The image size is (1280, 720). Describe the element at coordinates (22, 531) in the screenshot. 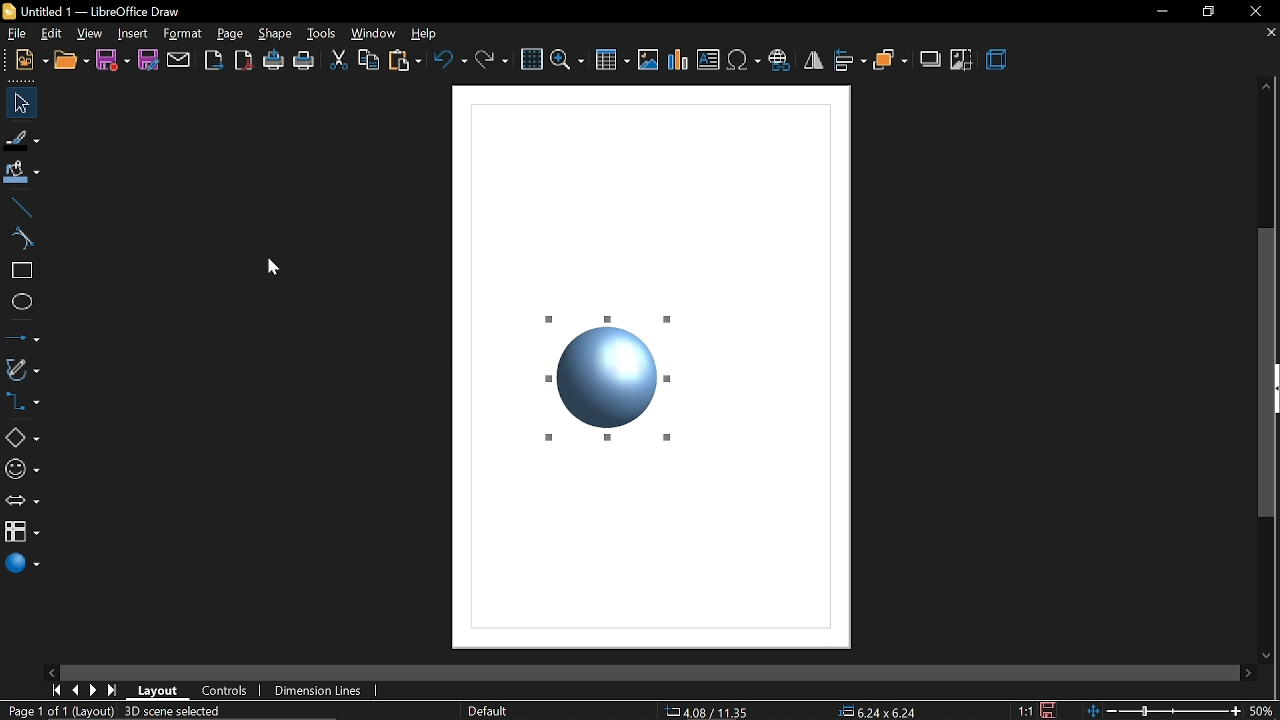

I see `flowchart` at that location.